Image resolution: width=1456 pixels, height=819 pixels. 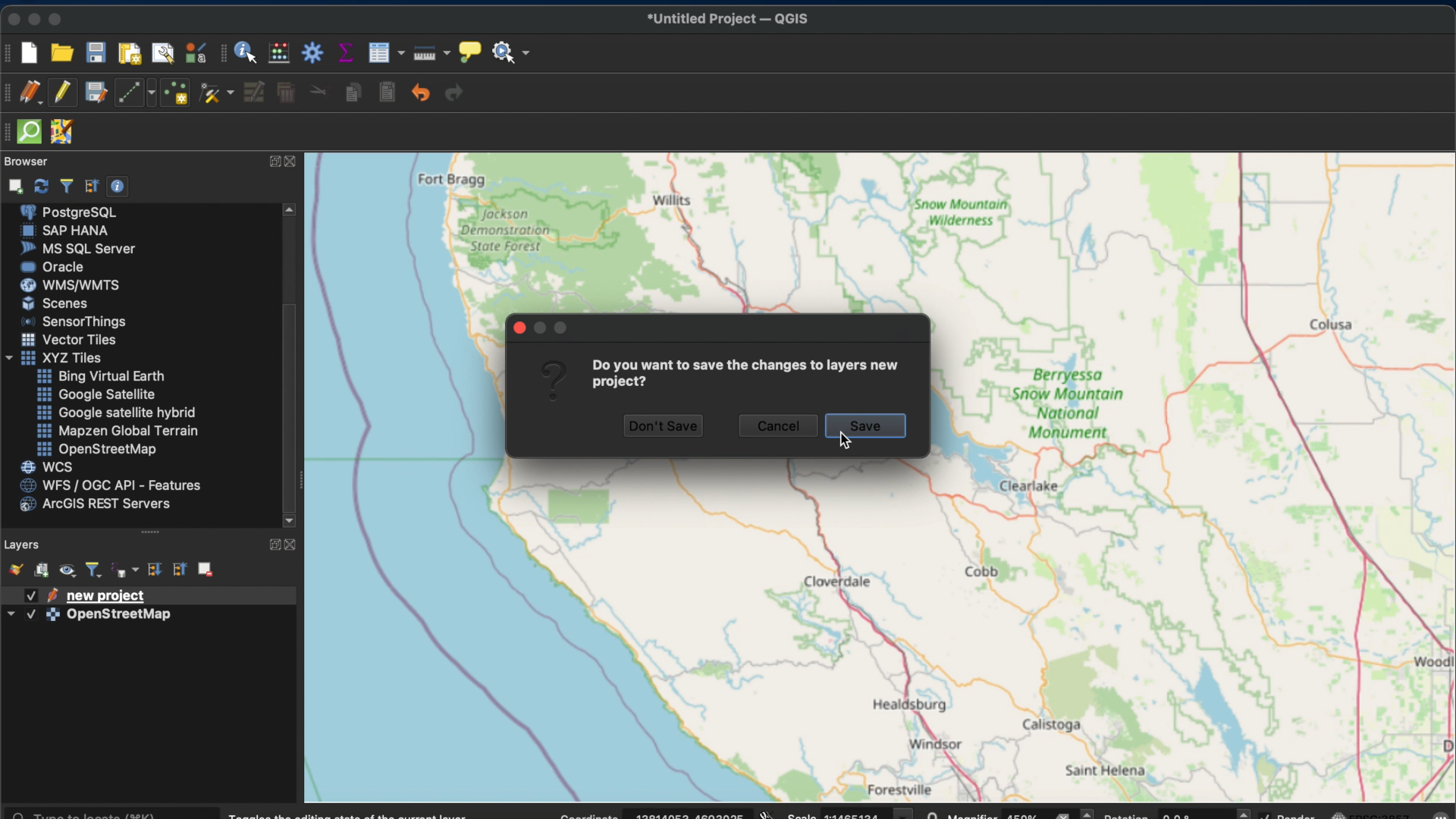 What do you see at coordinates (61, 132) in the screenshot?
I see `JOSM remote` at bounding box center [61, 132].